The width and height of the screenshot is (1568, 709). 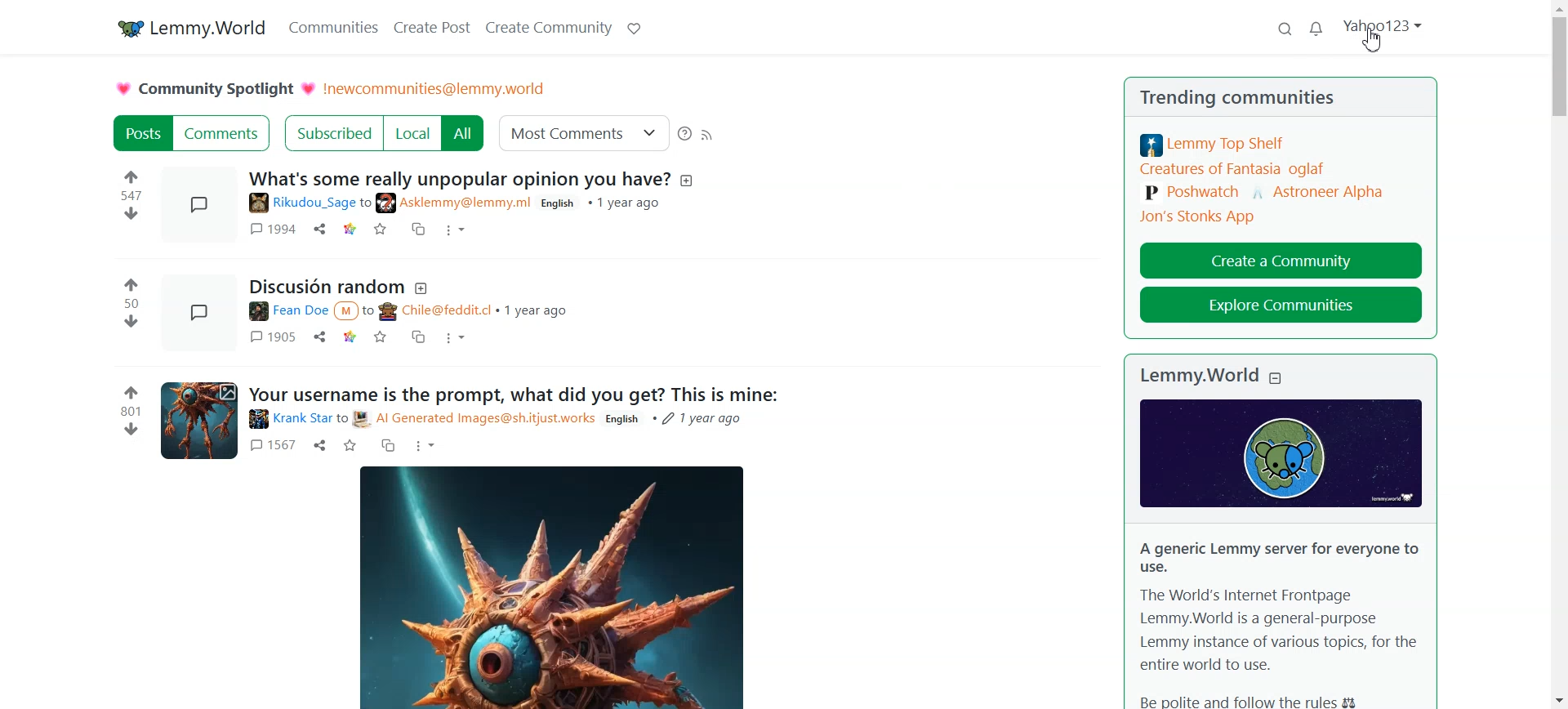 I want to click on description, so click(x=423, y=288).